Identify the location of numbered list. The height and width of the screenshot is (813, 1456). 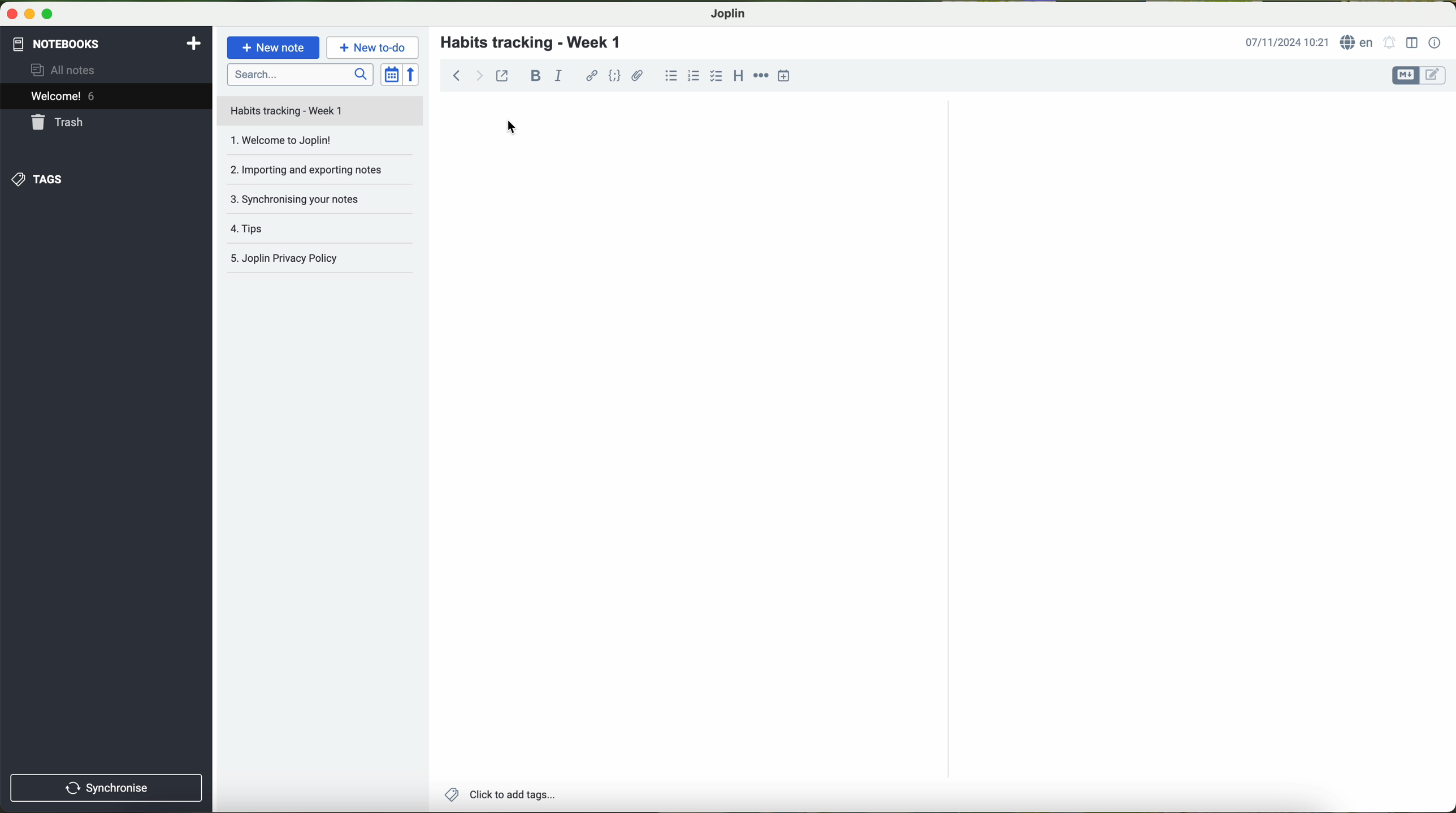
(695, 75).